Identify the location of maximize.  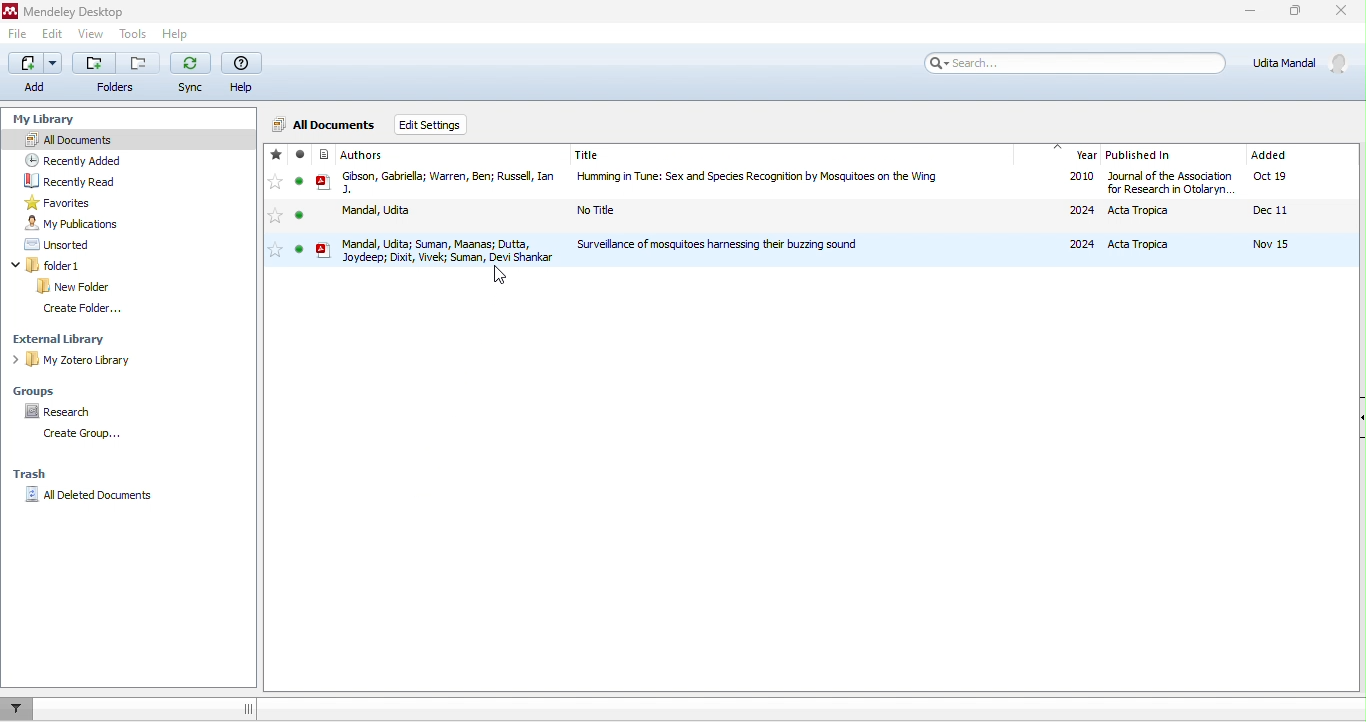
(1297, 11).